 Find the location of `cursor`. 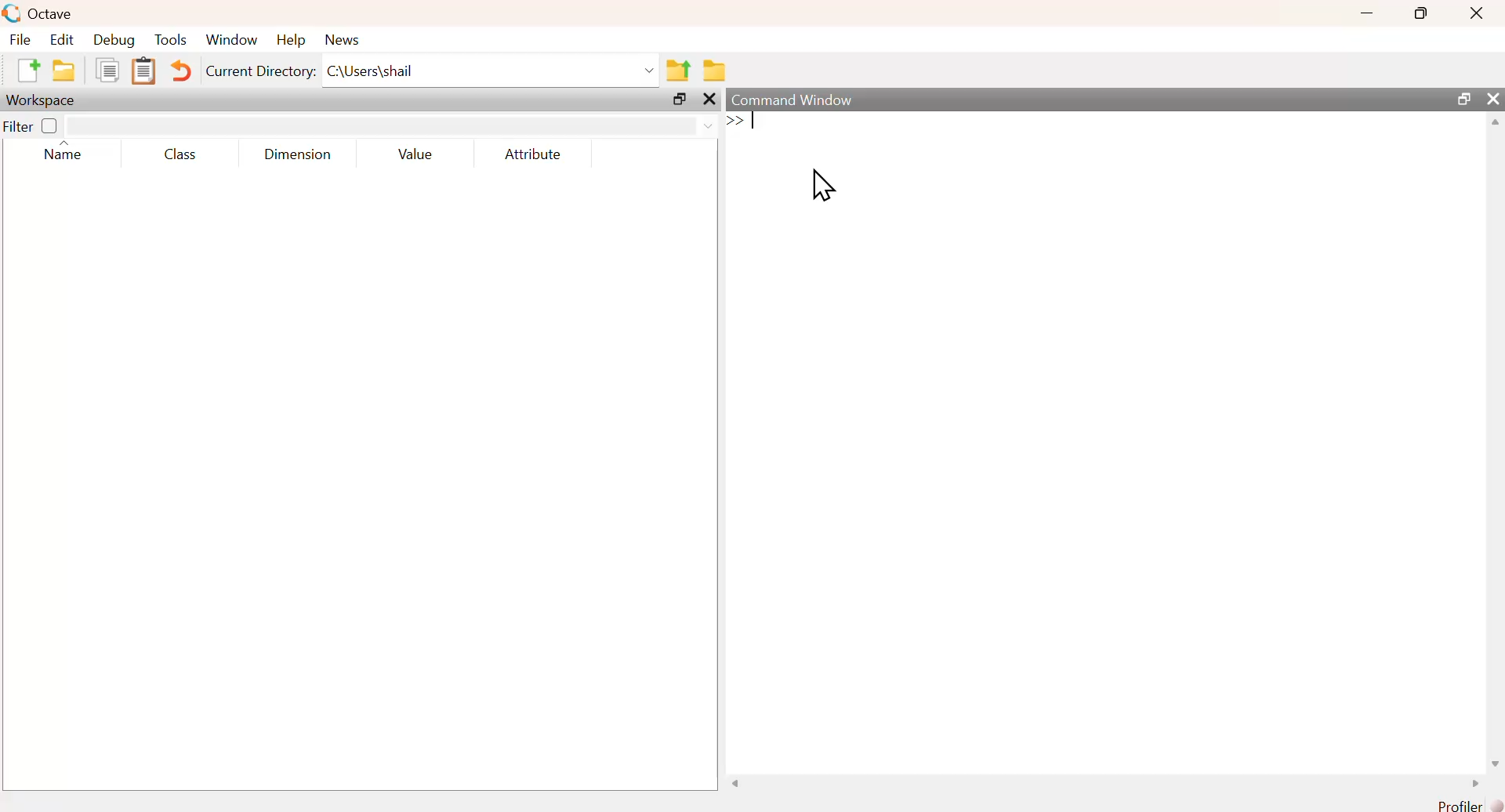

cursor is located at coordinates (822, 185).